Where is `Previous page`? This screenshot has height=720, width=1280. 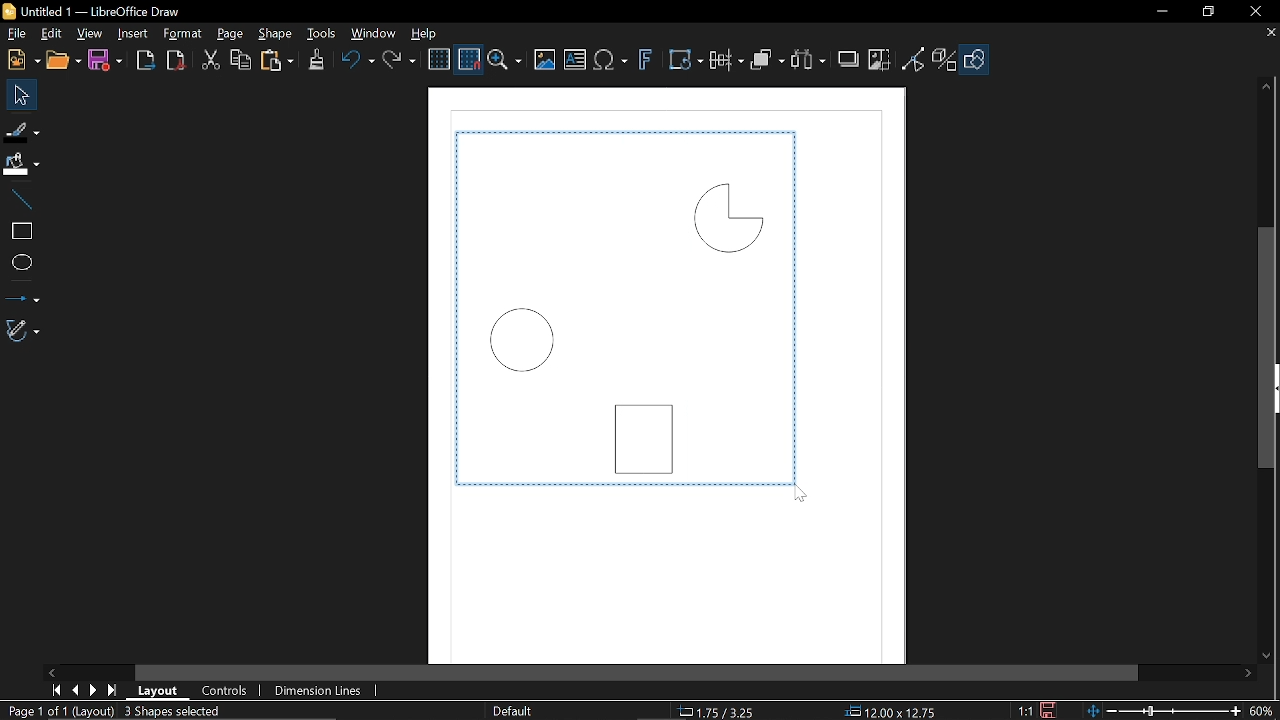
Previous page is located at coordinates (75, 690).